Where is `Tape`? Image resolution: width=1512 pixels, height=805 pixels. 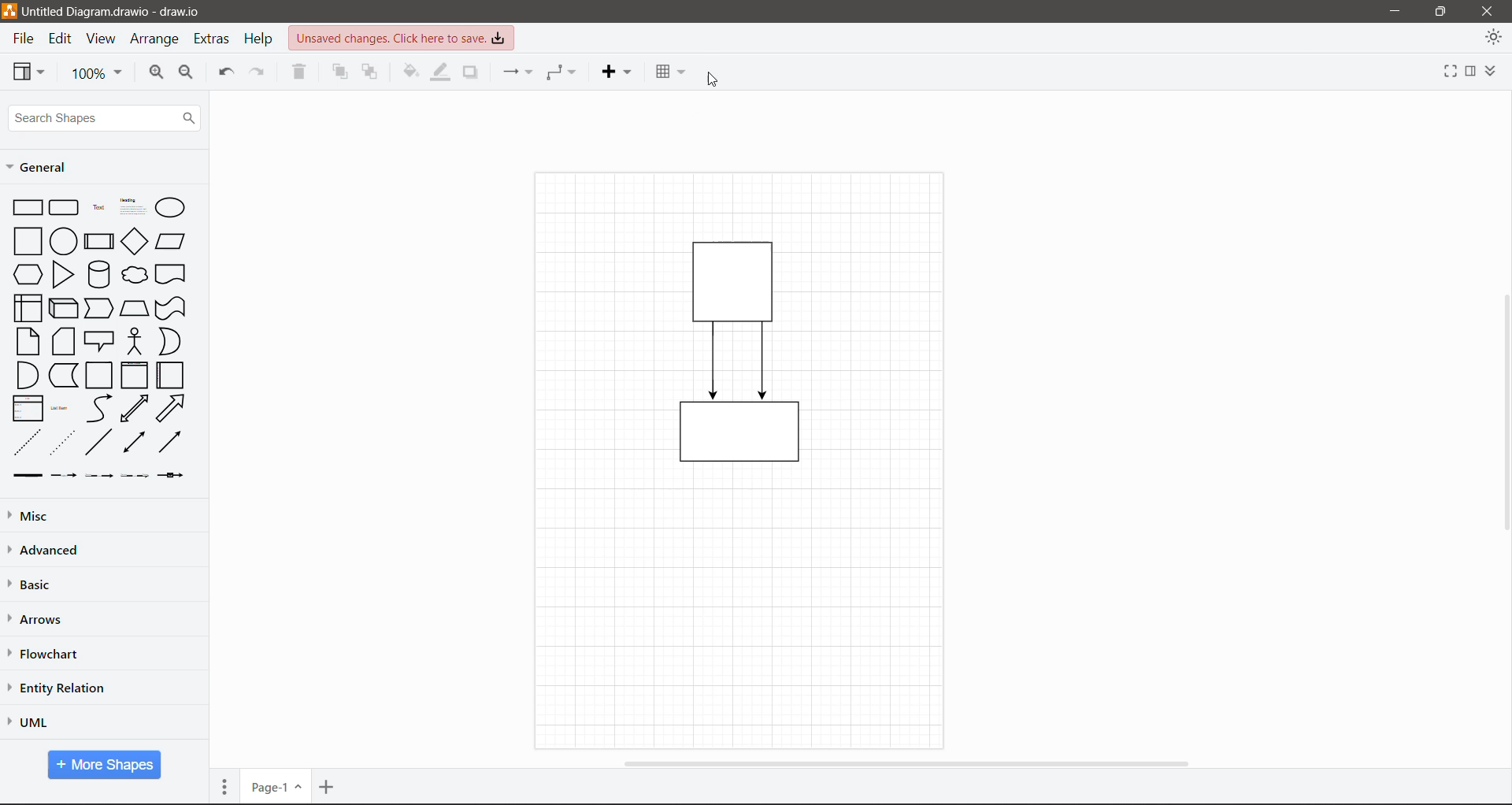 Tape is located at coordinates (172, 307).